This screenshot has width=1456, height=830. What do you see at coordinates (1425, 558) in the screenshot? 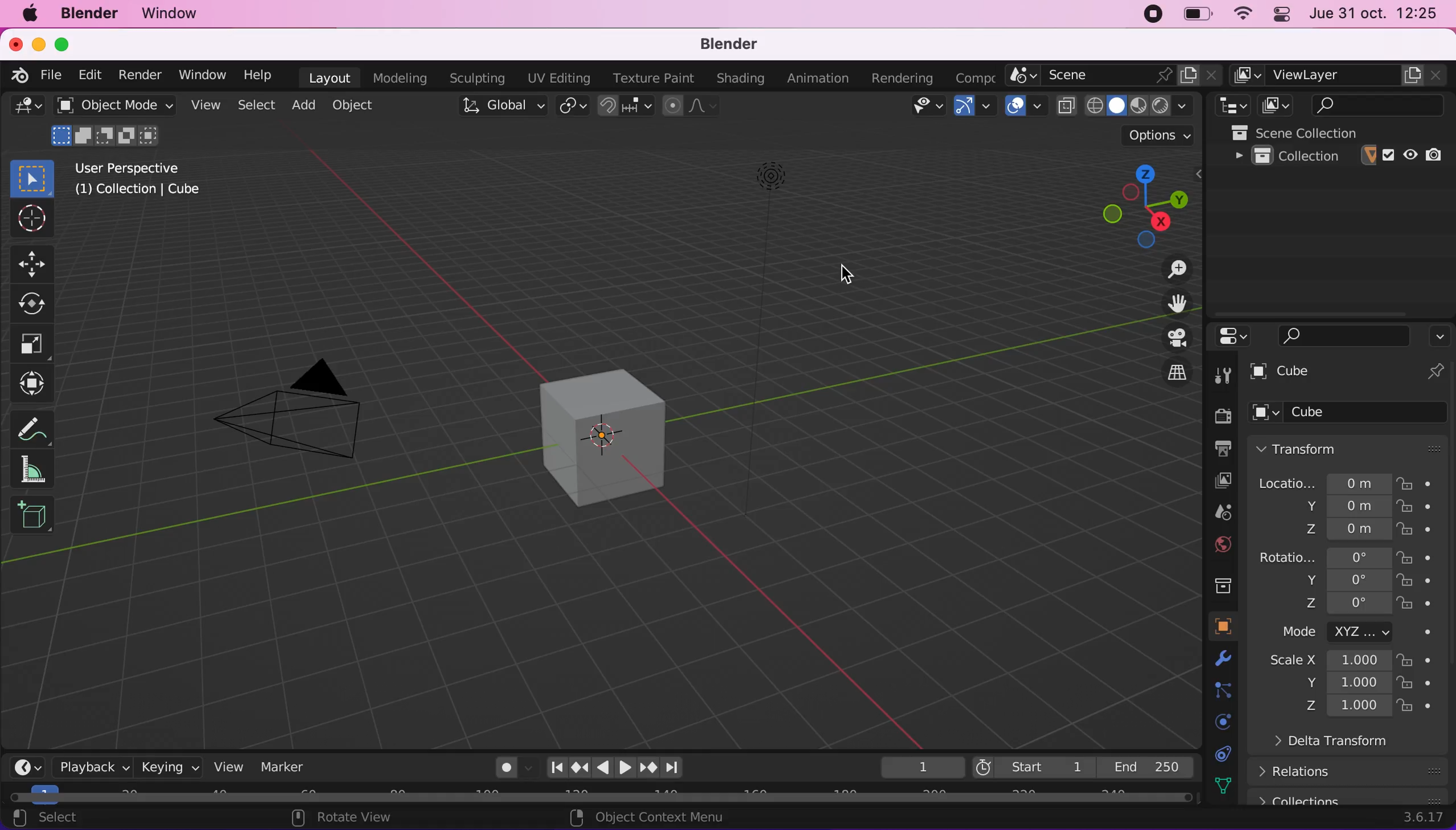
I see `lock` at bounding box center [1425, 558].